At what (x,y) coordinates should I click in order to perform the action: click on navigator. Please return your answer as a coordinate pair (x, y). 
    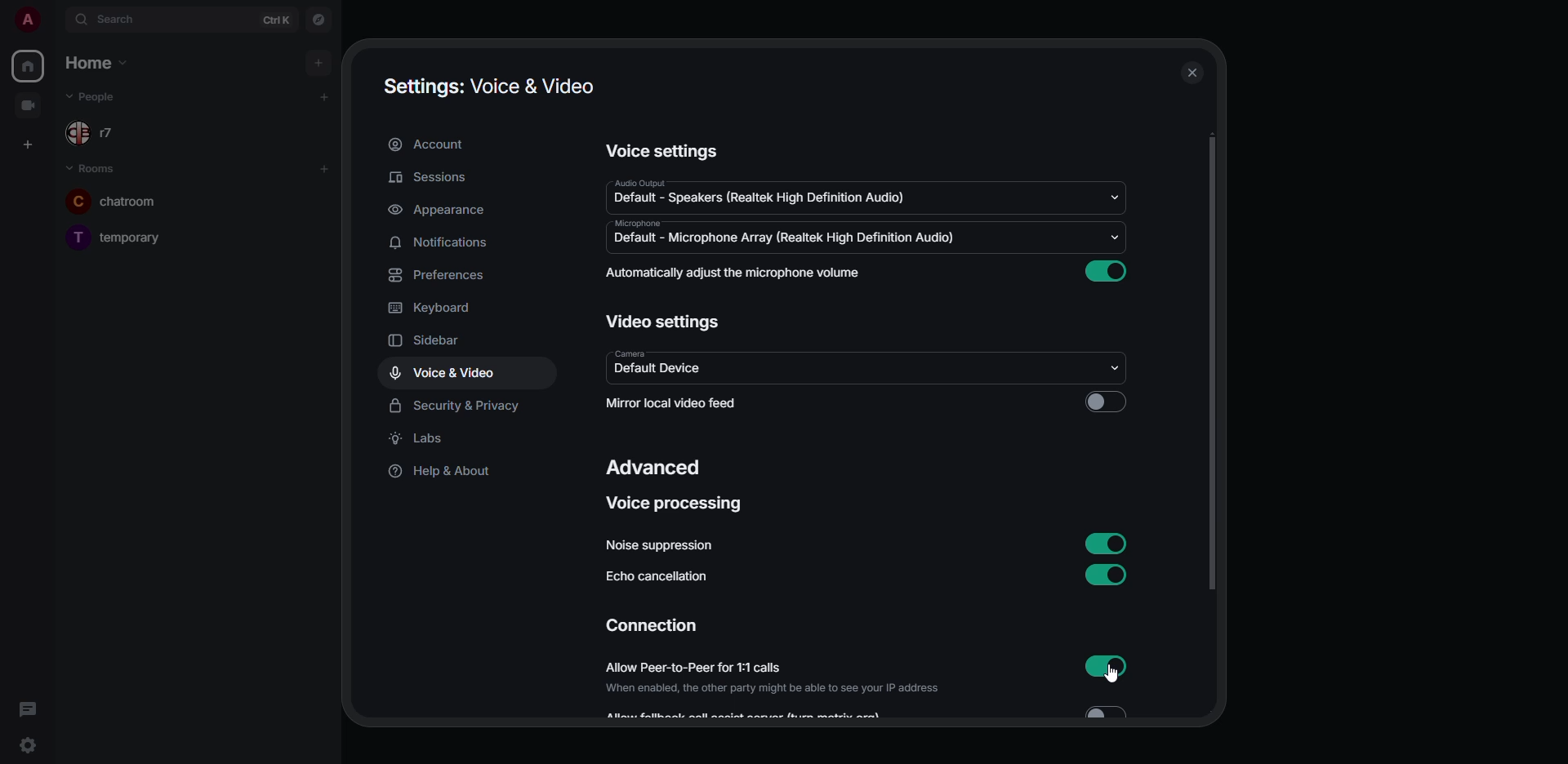
    Looking at the image, I should click on (317, 20).